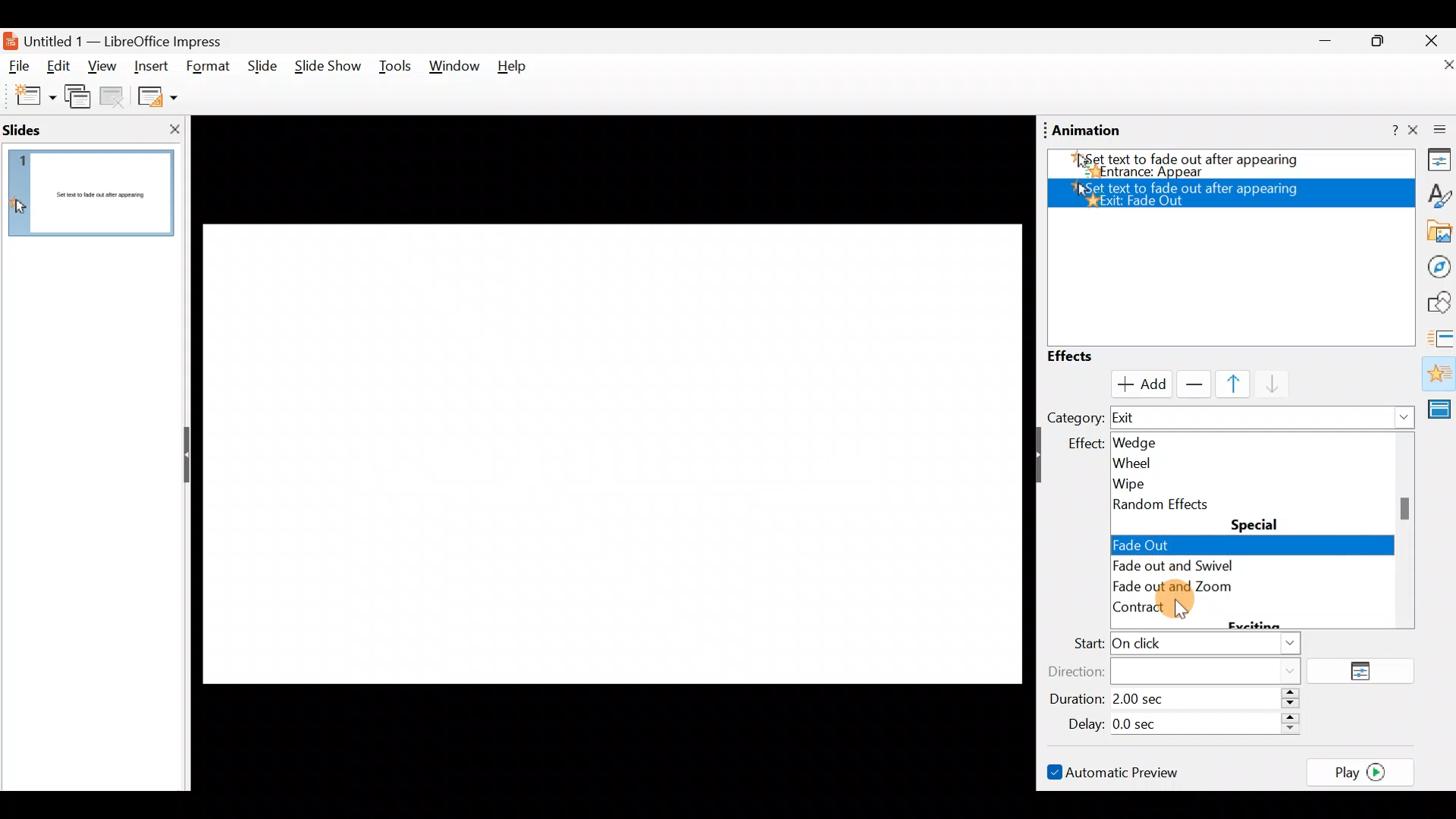 The width and height of the screenshot is (1456, 819). Describe the element at coordinates (80, 99) in the screenshot. I see `Duplicate slide` at that location.